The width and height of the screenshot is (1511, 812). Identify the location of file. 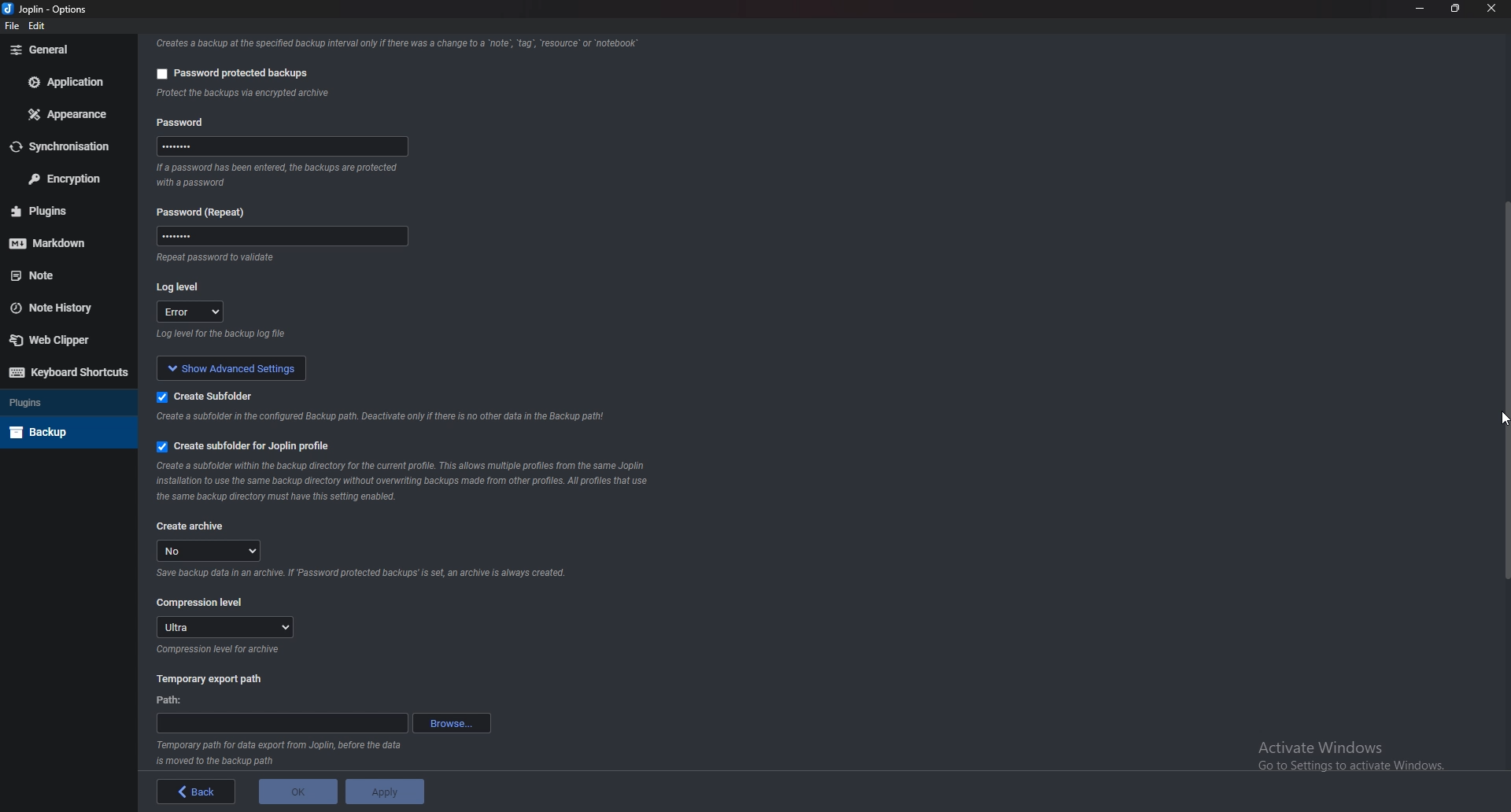
(12, 26).